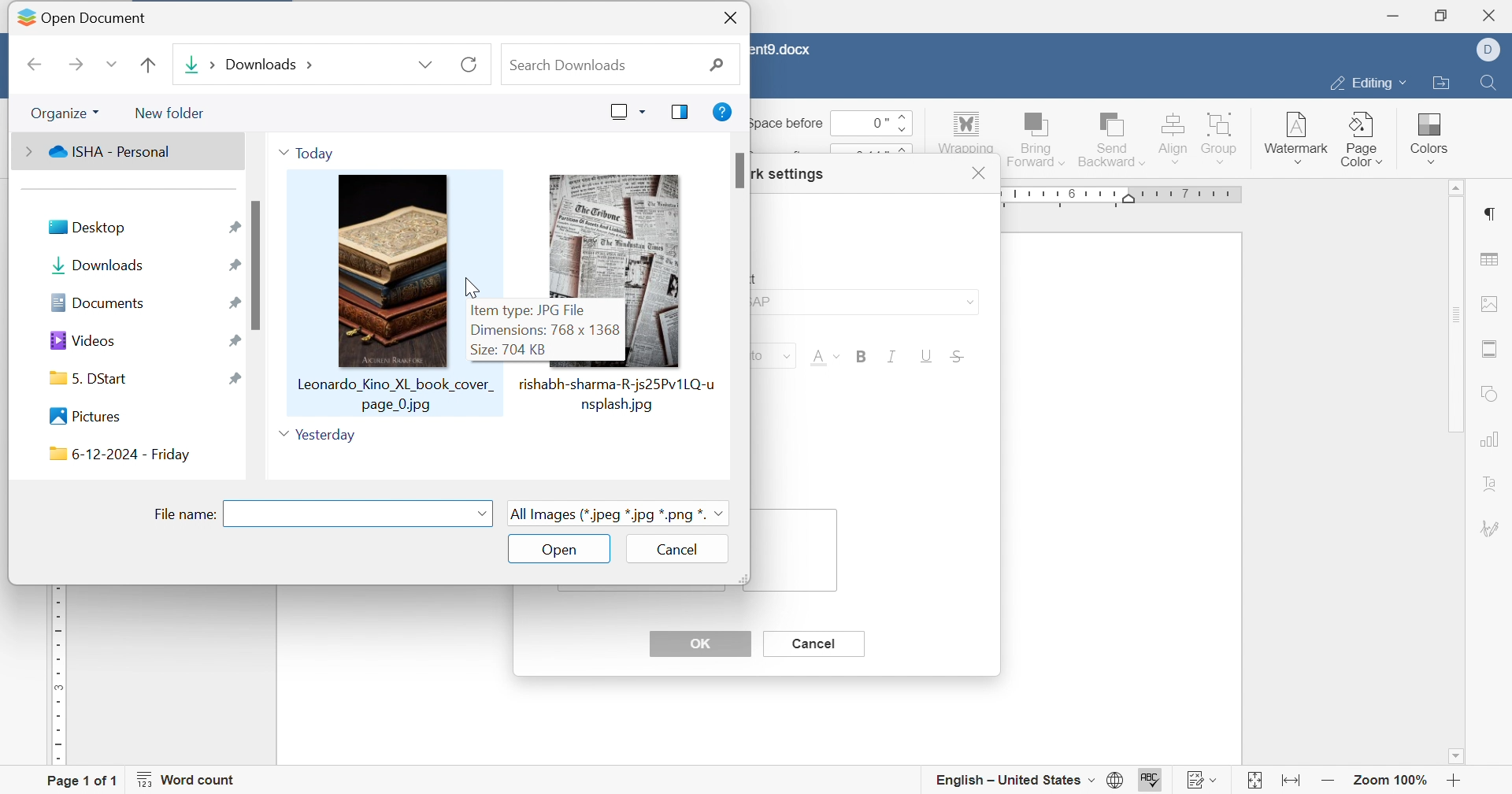 The width and height of the screenshot is (1512, 794). I want to click on OK, so click(699, 644).